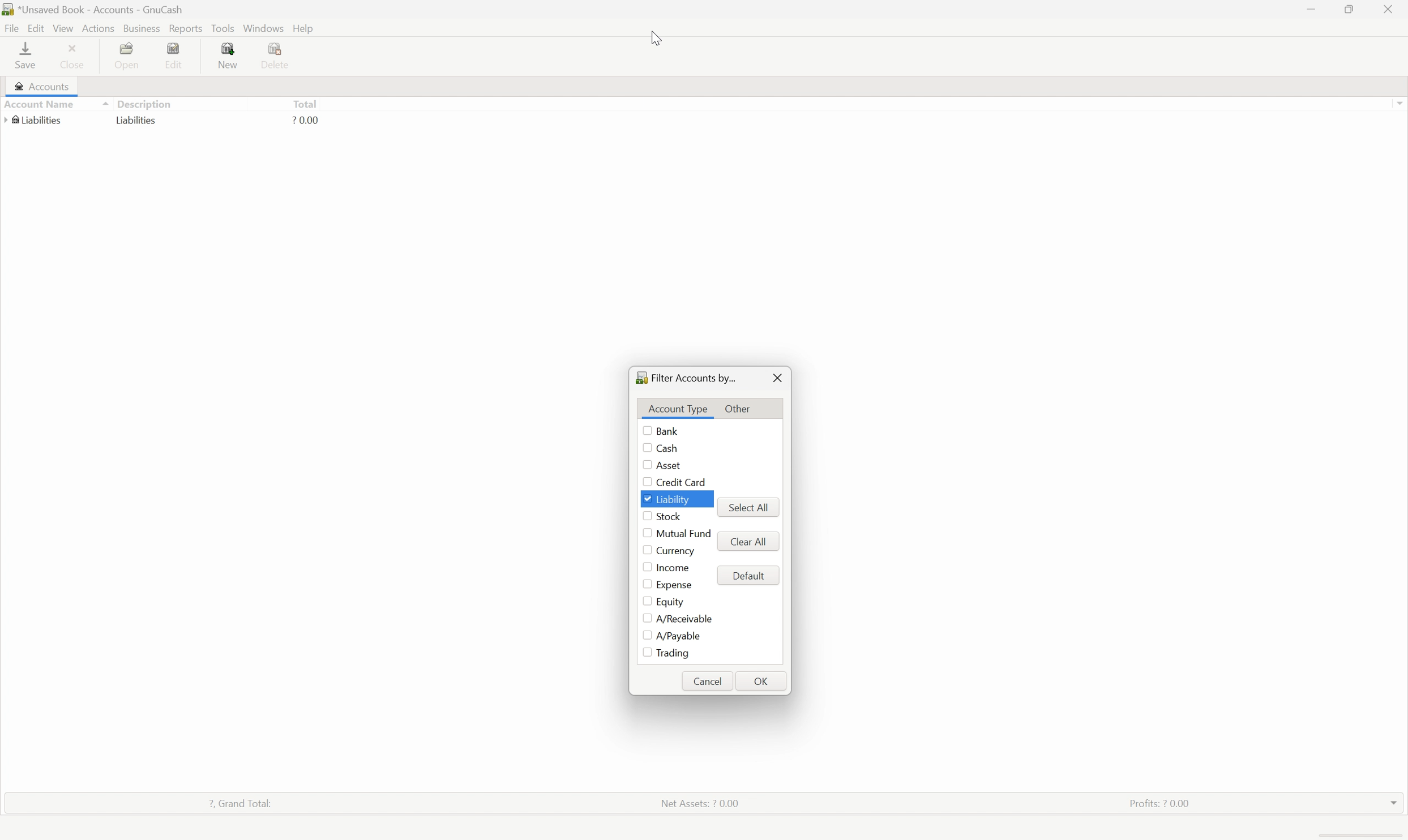  I want to click on Open, so click(131, 53).